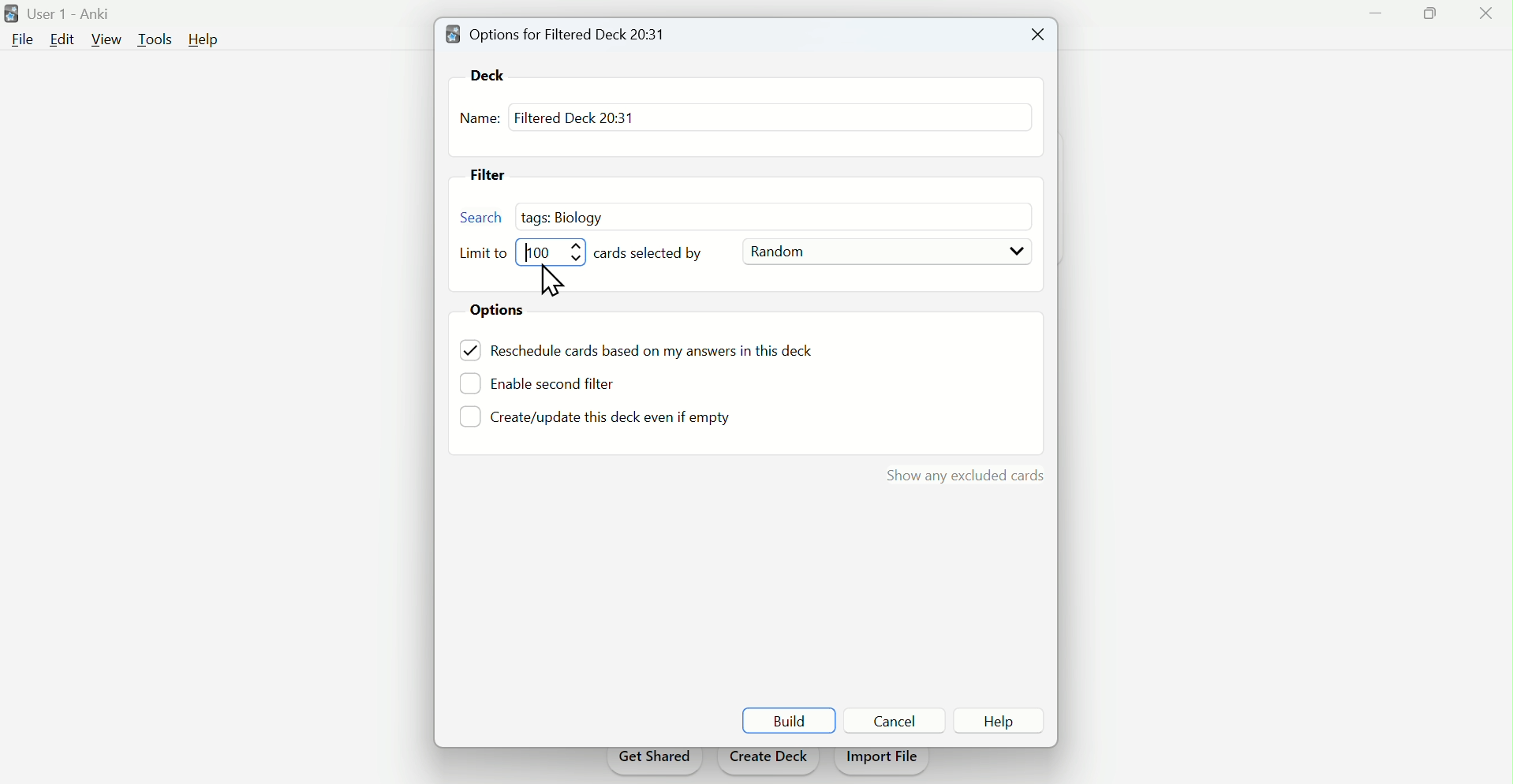 The width and height of the screenshot is (1513, 784). I want to click on Close tab, so click(1034, 35).